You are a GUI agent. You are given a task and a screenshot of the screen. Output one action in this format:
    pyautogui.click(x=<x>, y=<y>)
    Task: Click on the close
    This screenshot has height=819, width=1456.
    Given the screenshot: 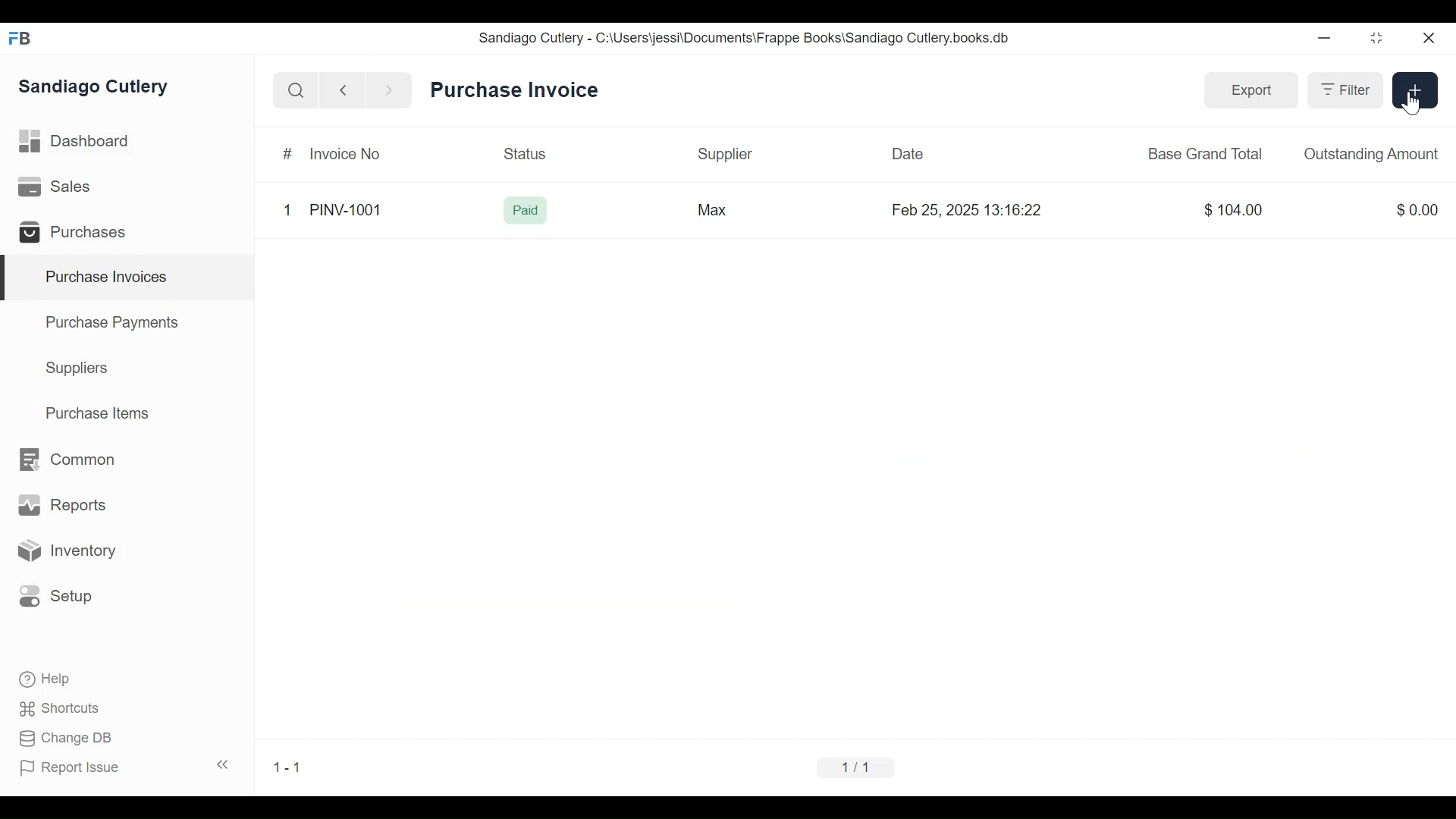 What is the action you would take?
    pyautogui.click(x=1427, y=39)
    